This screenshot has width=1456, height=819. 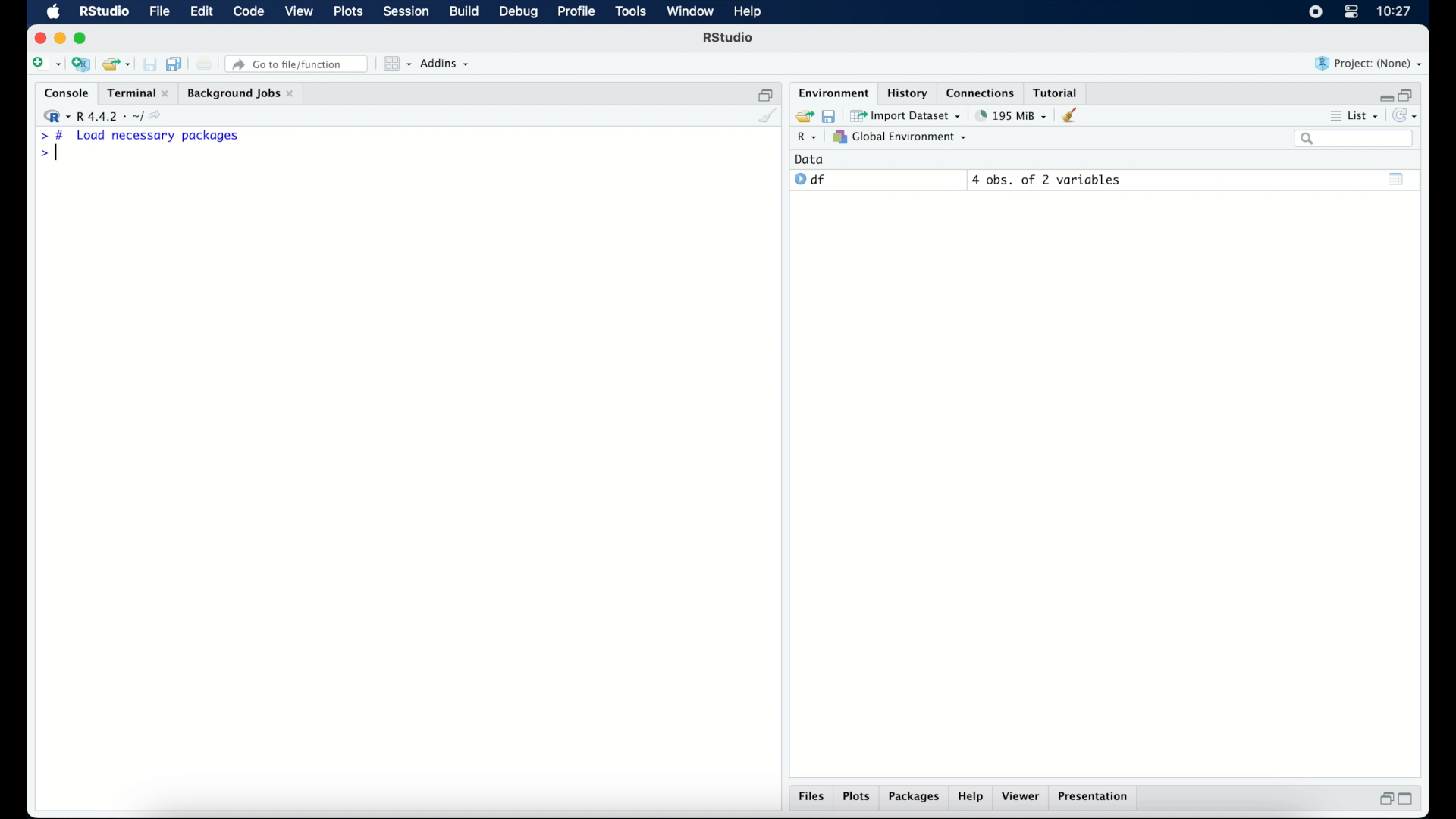 I want to click on profile, so click(x=576, y=12).